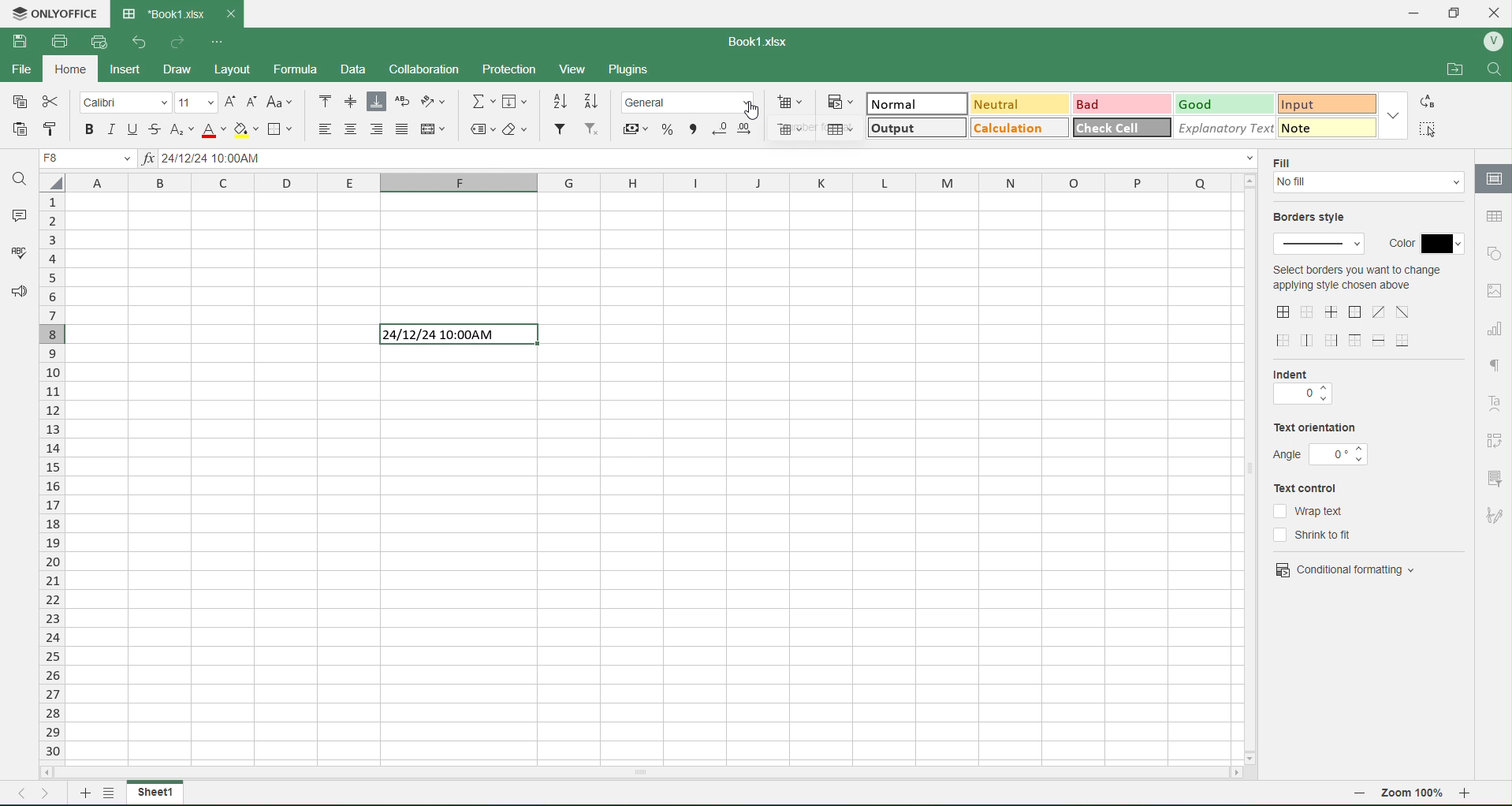 This screenshot has width=1512, height=806. I want to click on borders style, so click(1315, 218).